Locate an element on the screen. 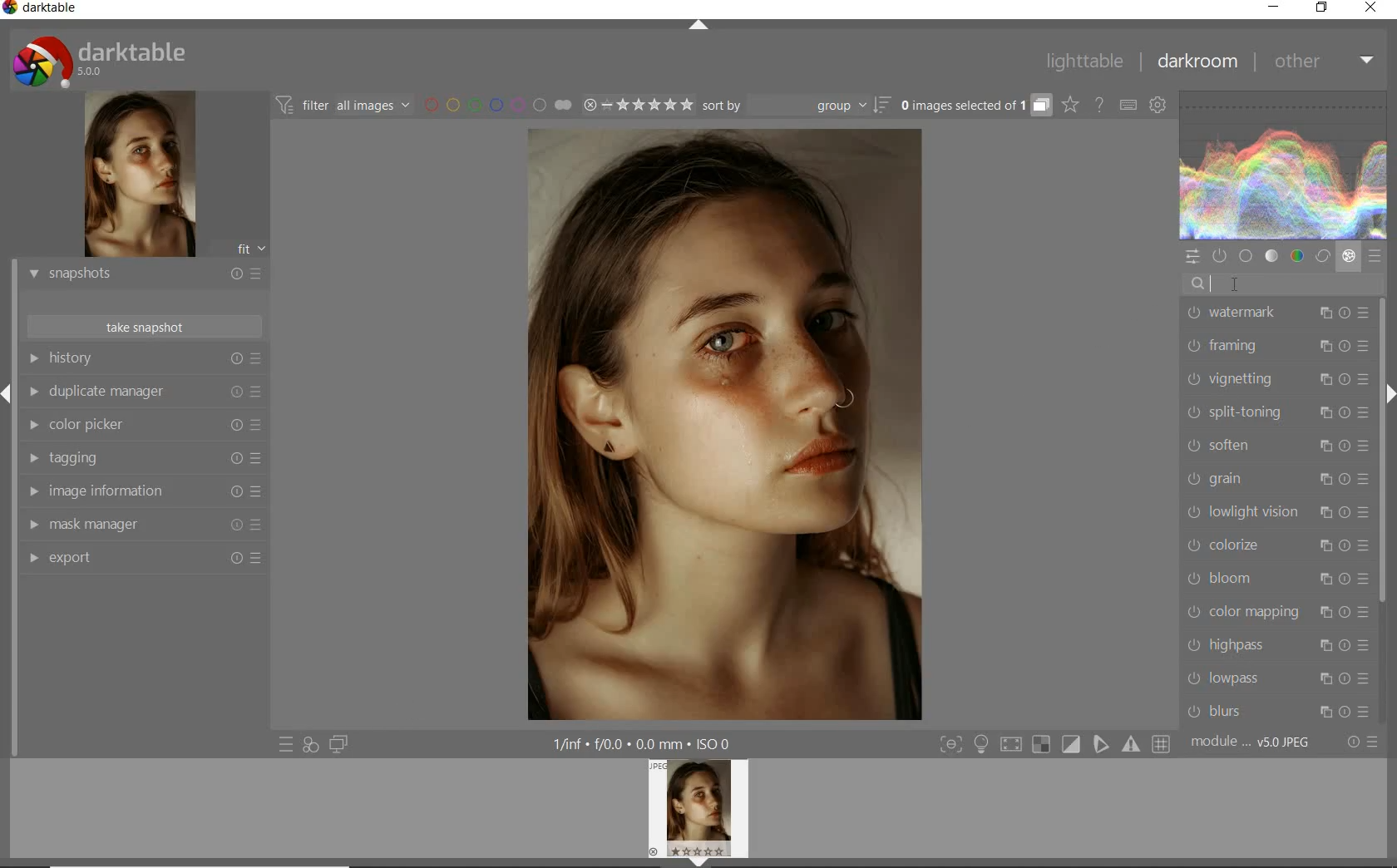  image preview is located at coordinates (137, 176).